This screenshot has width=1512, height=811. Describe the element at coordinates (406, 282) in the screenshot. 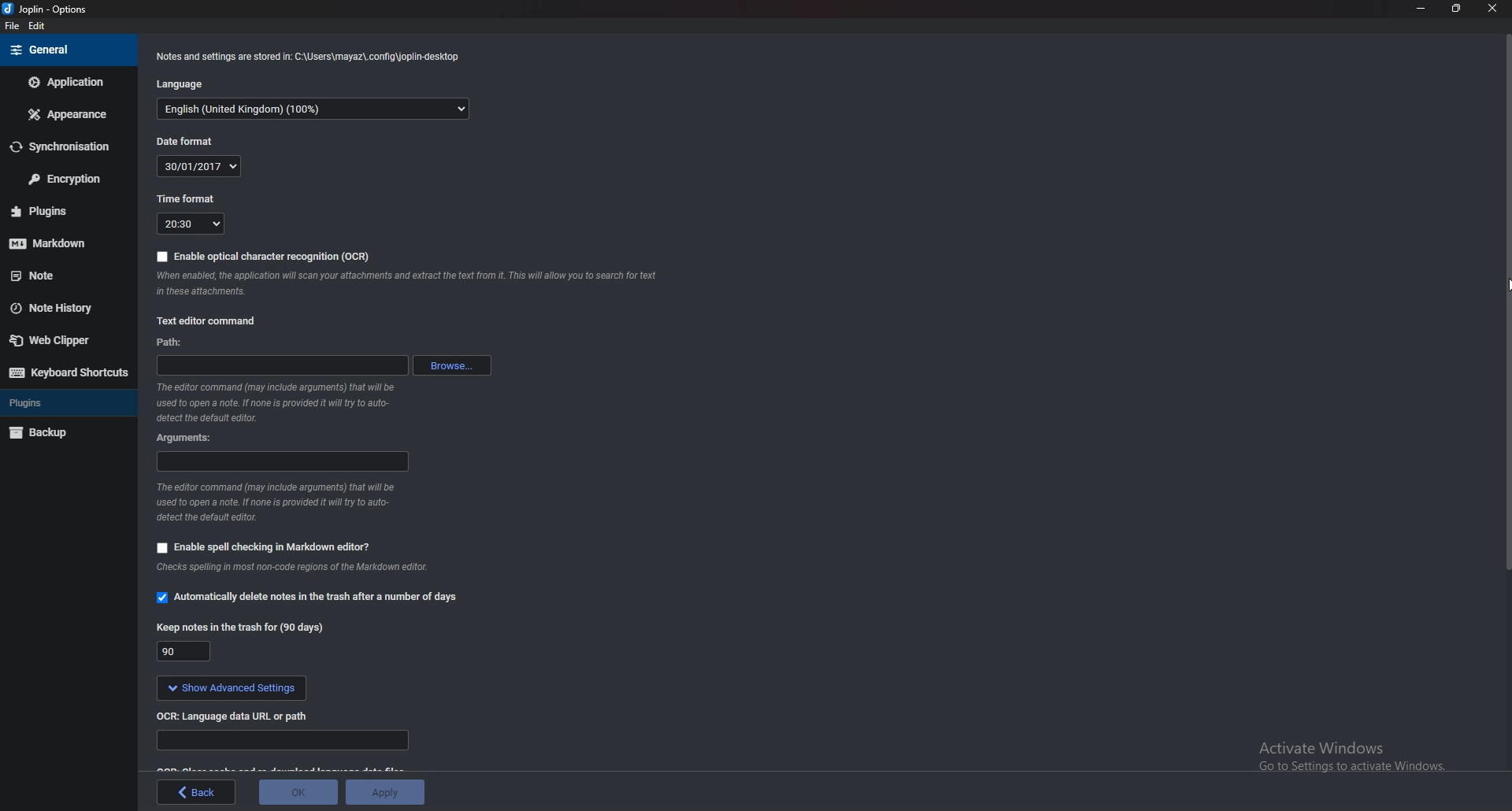

I see `ocr info` at that location.